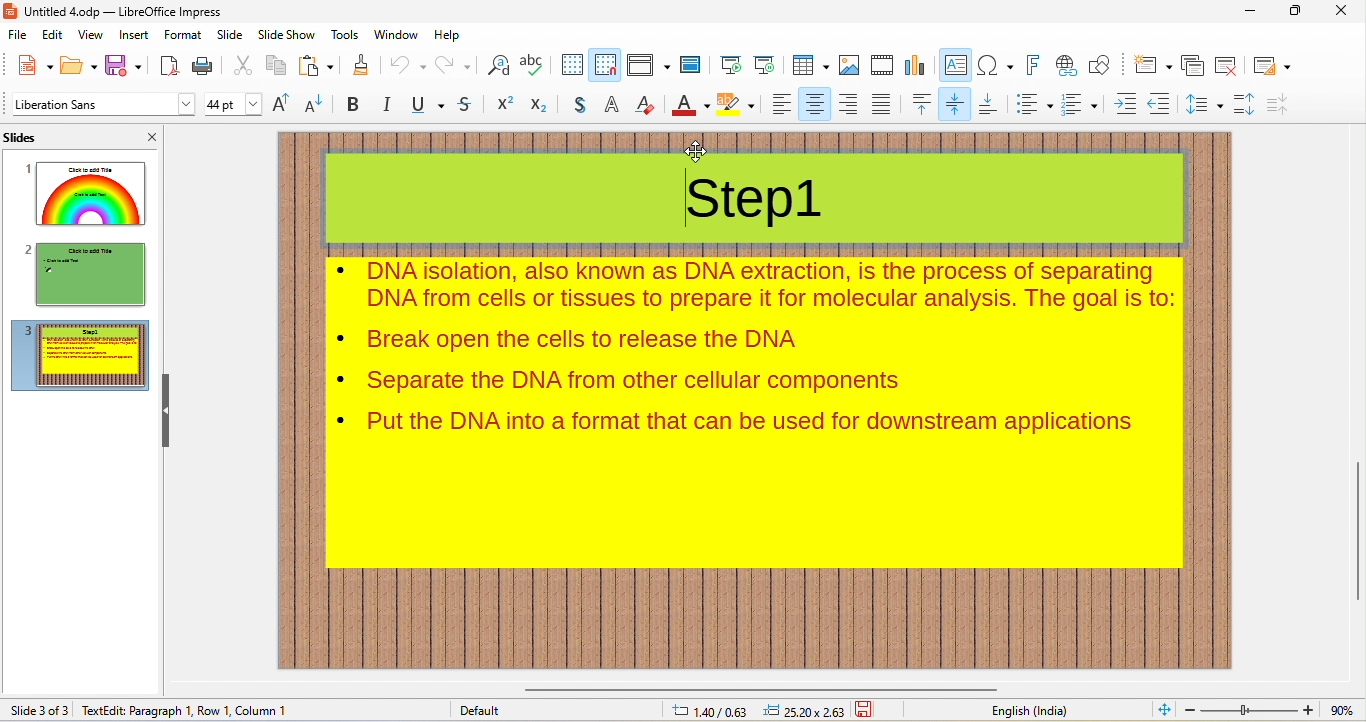 This screenshot has width=1366, height=722. I want to click on image, so click(848, 65).